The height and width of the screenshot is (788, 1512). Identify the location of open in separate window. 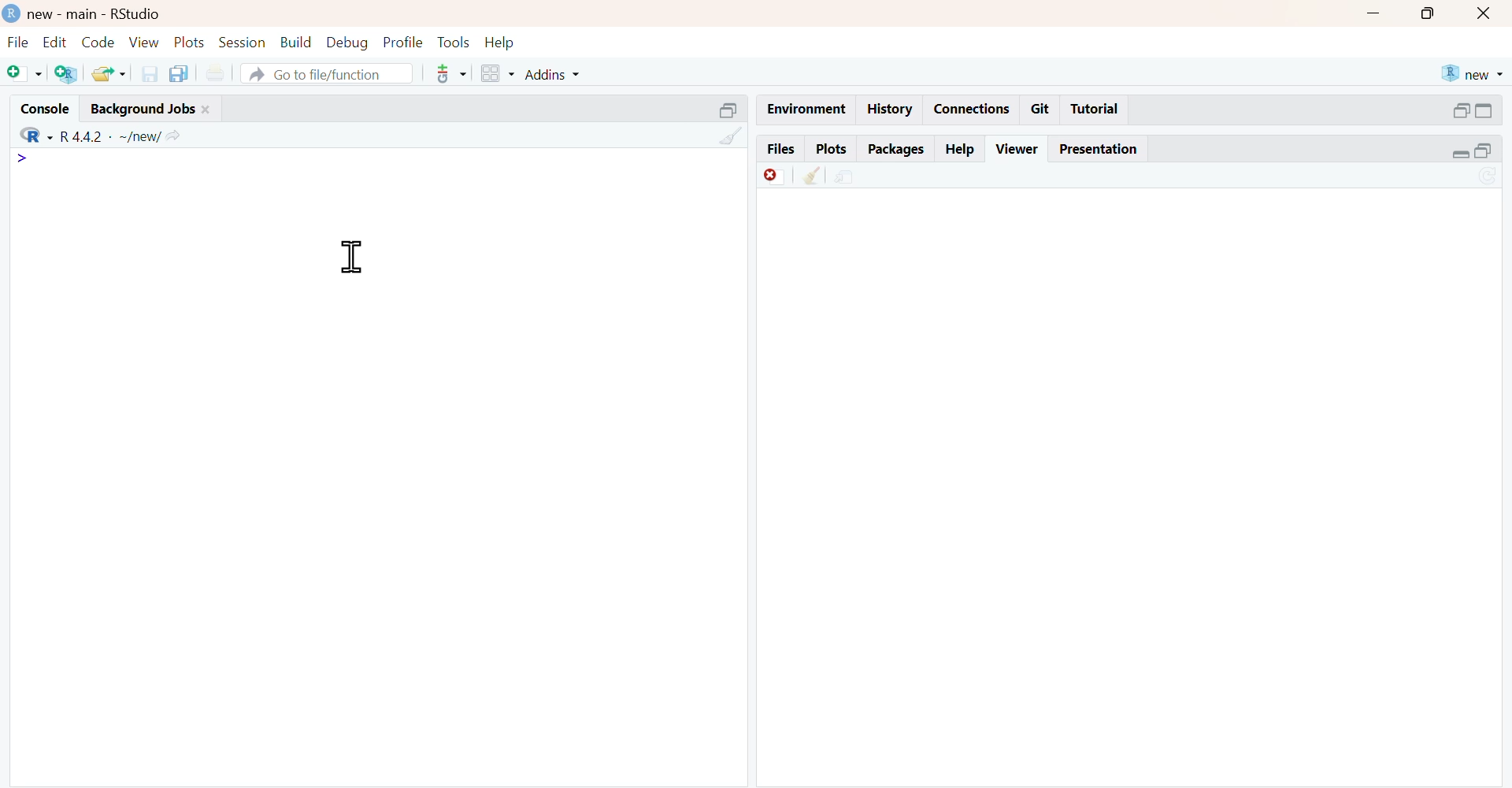
(1484, 151).